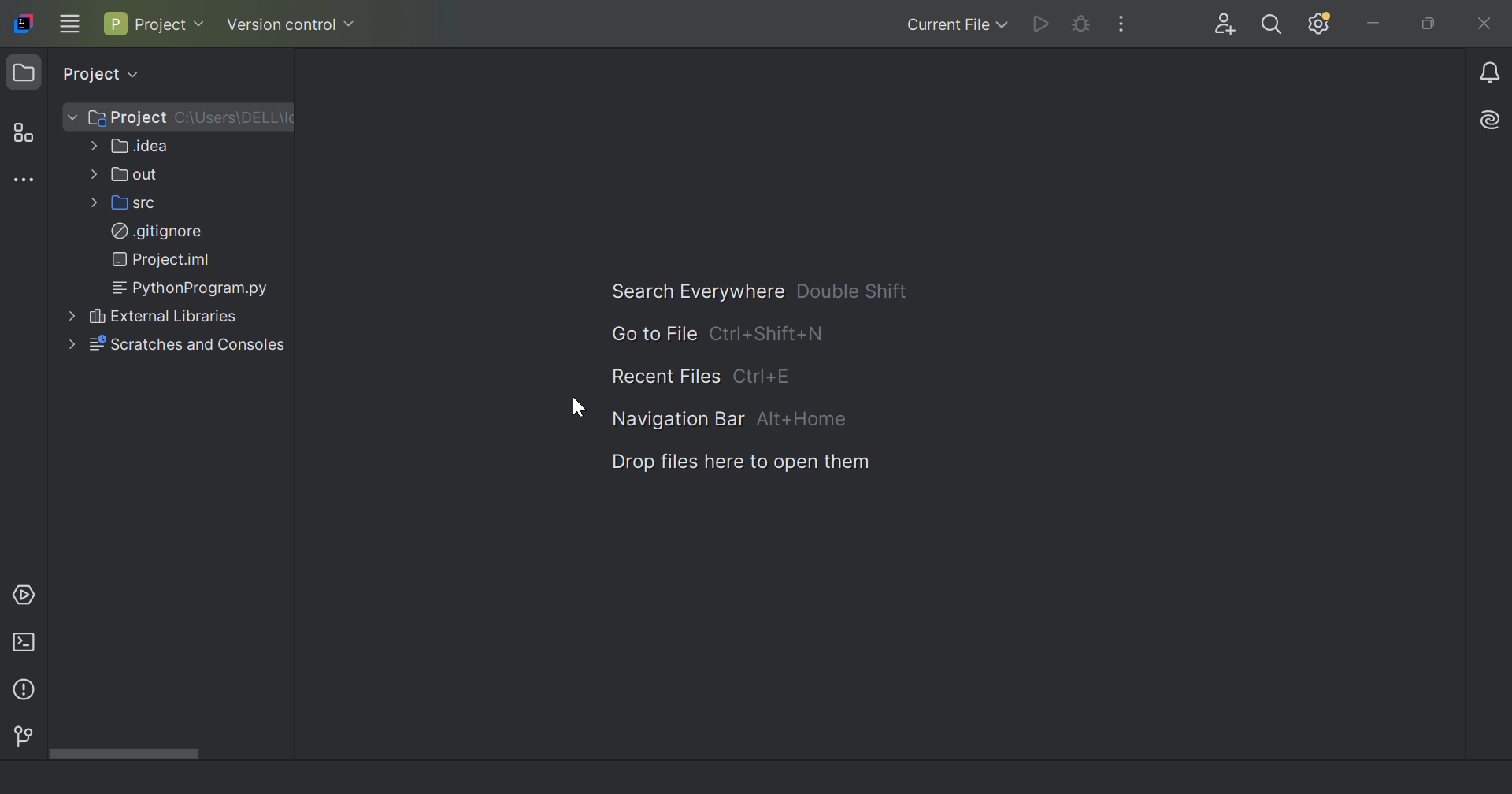 The image size is (1512, 794). I want to click on Notifications, so click(1492, 72).